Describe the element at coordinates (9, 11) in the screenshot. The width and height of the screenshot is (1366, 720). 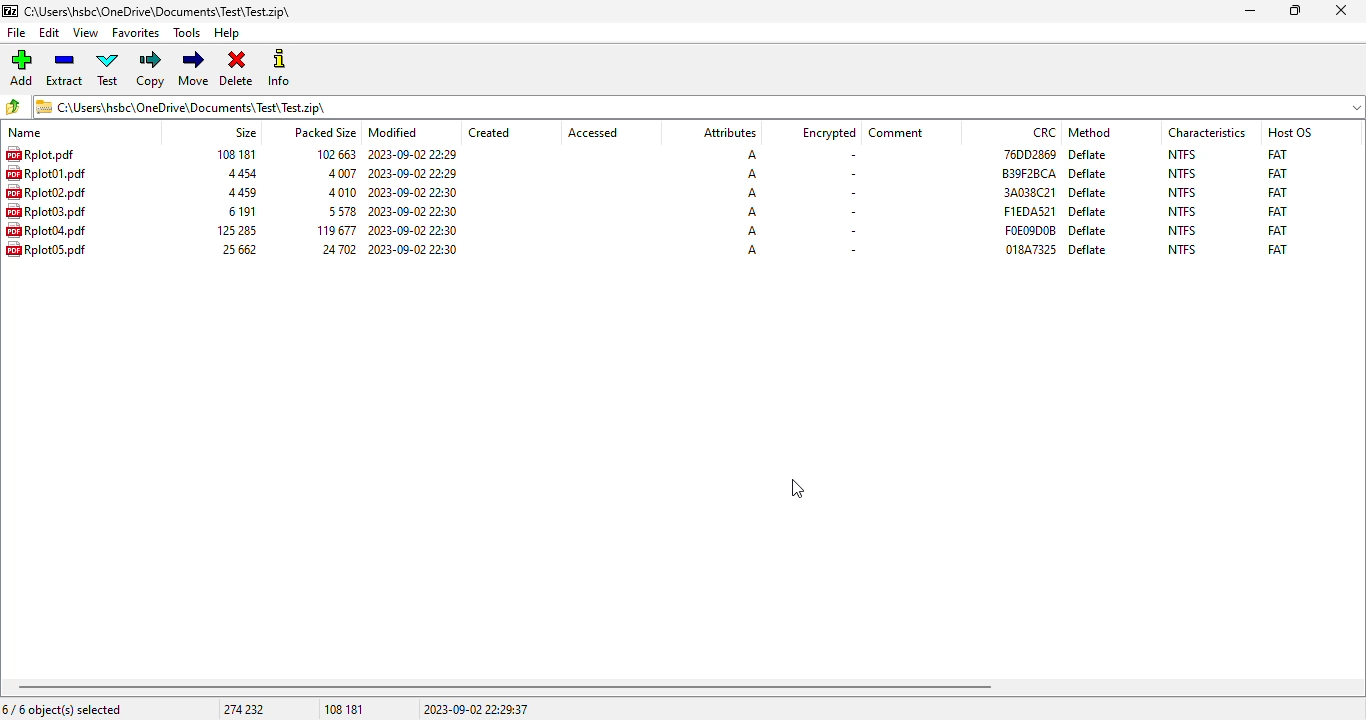
I see `logo` at that location.